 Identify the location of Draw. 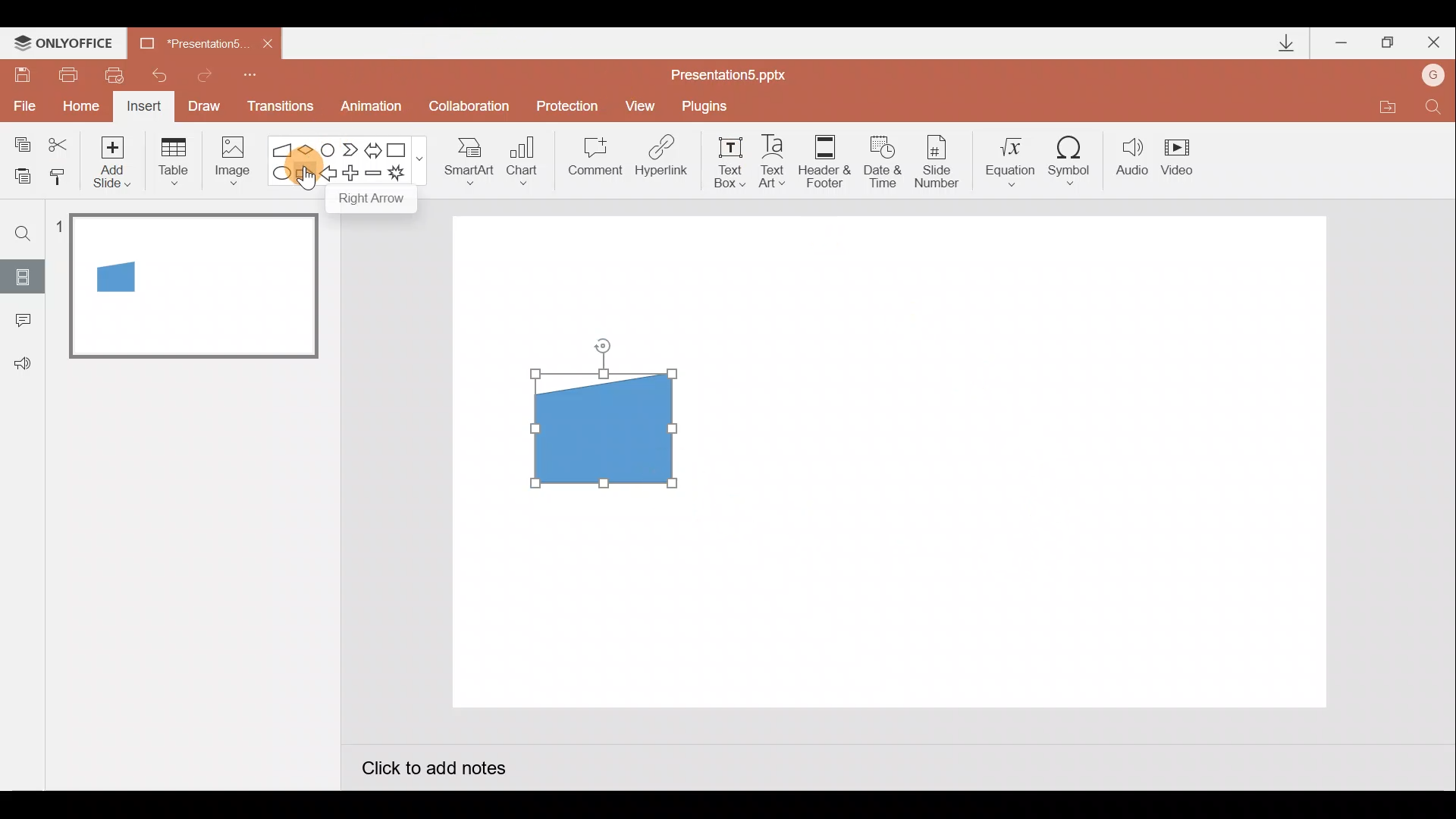
(205, 105).